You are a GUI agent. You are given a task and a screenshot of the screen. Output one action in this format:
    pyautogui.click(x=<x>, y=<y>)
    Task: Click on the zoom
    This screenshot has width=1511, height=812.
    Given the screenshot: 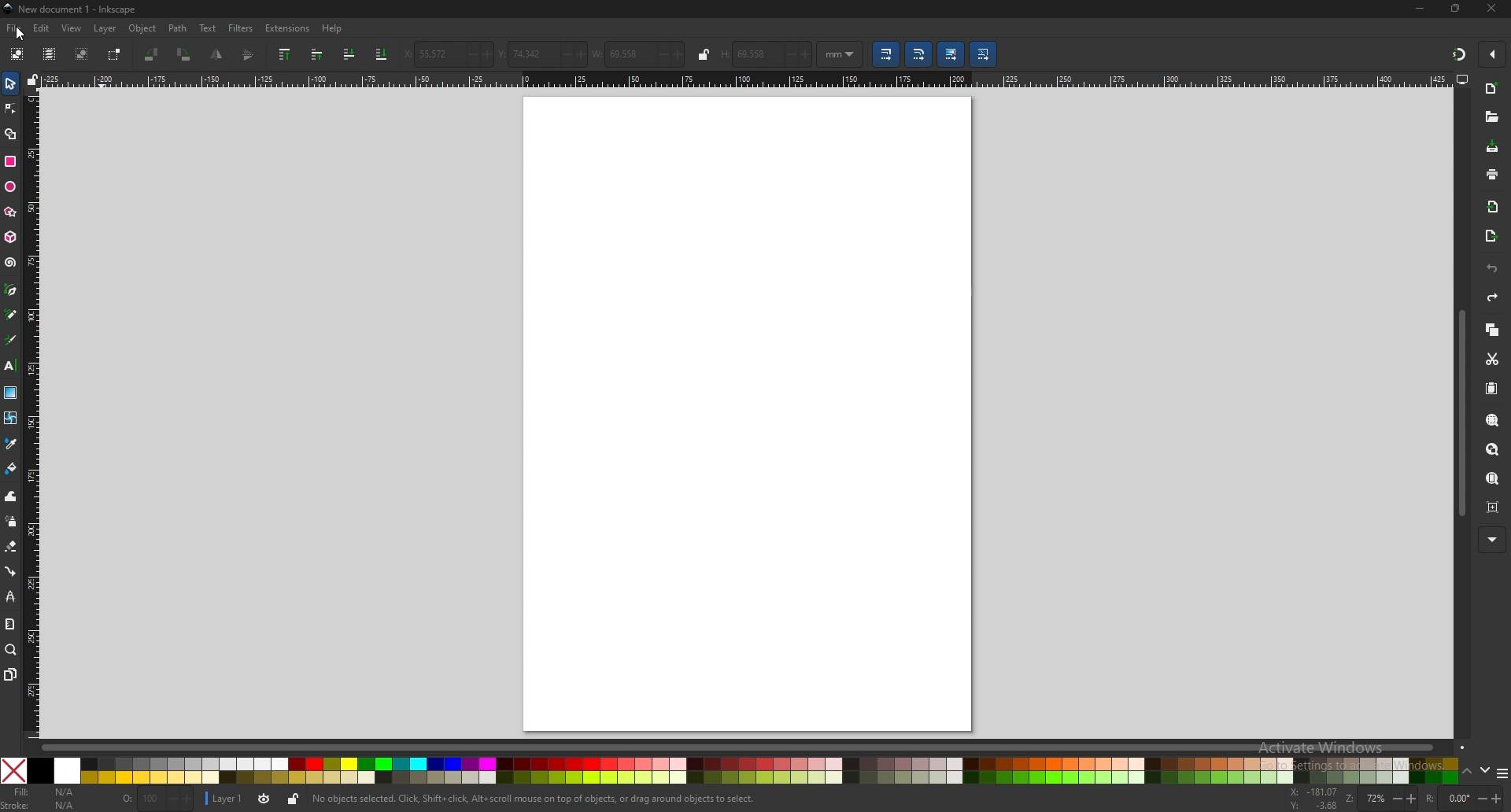 What is the action you would take?
    pyautogui.click(x=1362, y=800)
    